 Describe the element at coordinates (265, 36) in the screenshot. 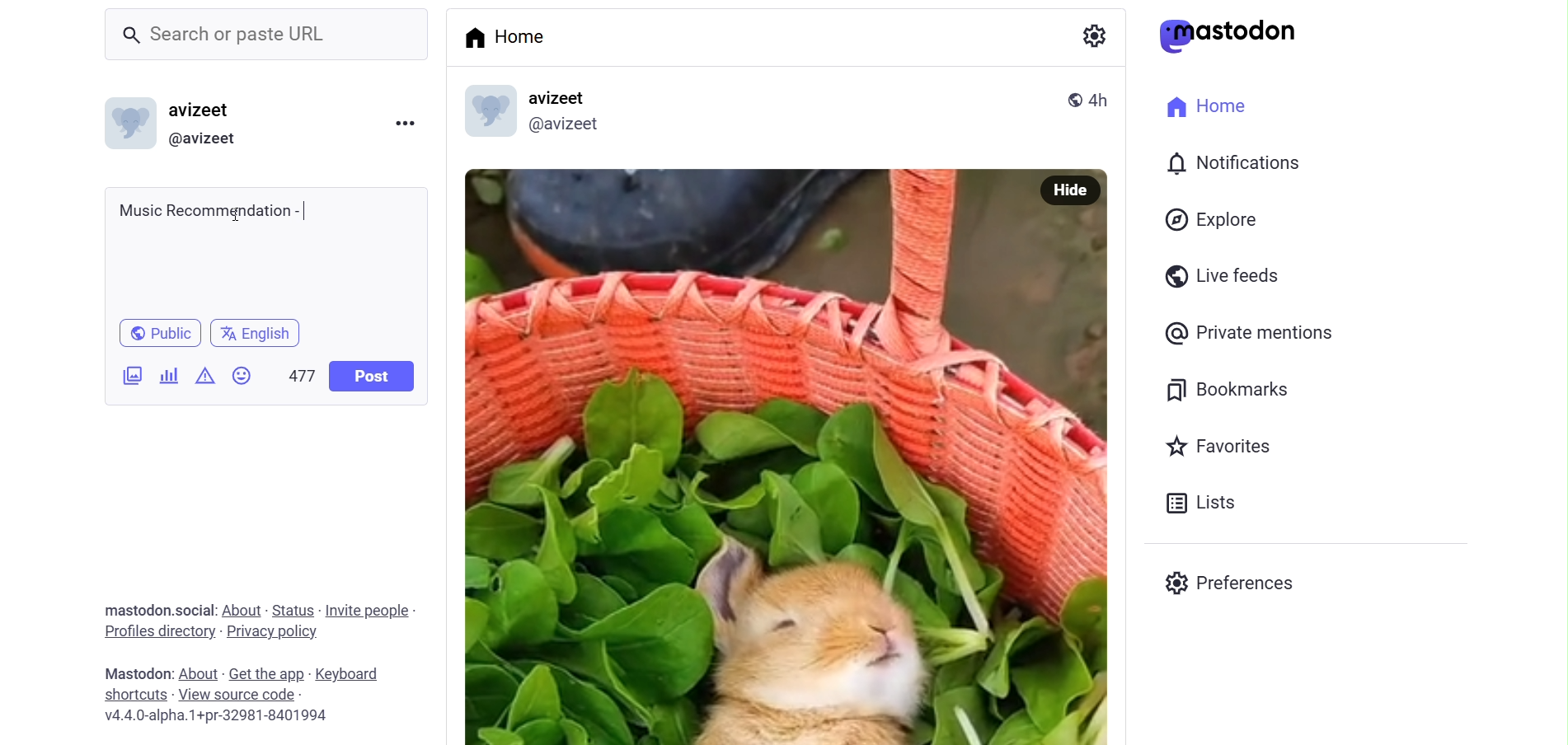

I see `Search or paste URL` at that location.